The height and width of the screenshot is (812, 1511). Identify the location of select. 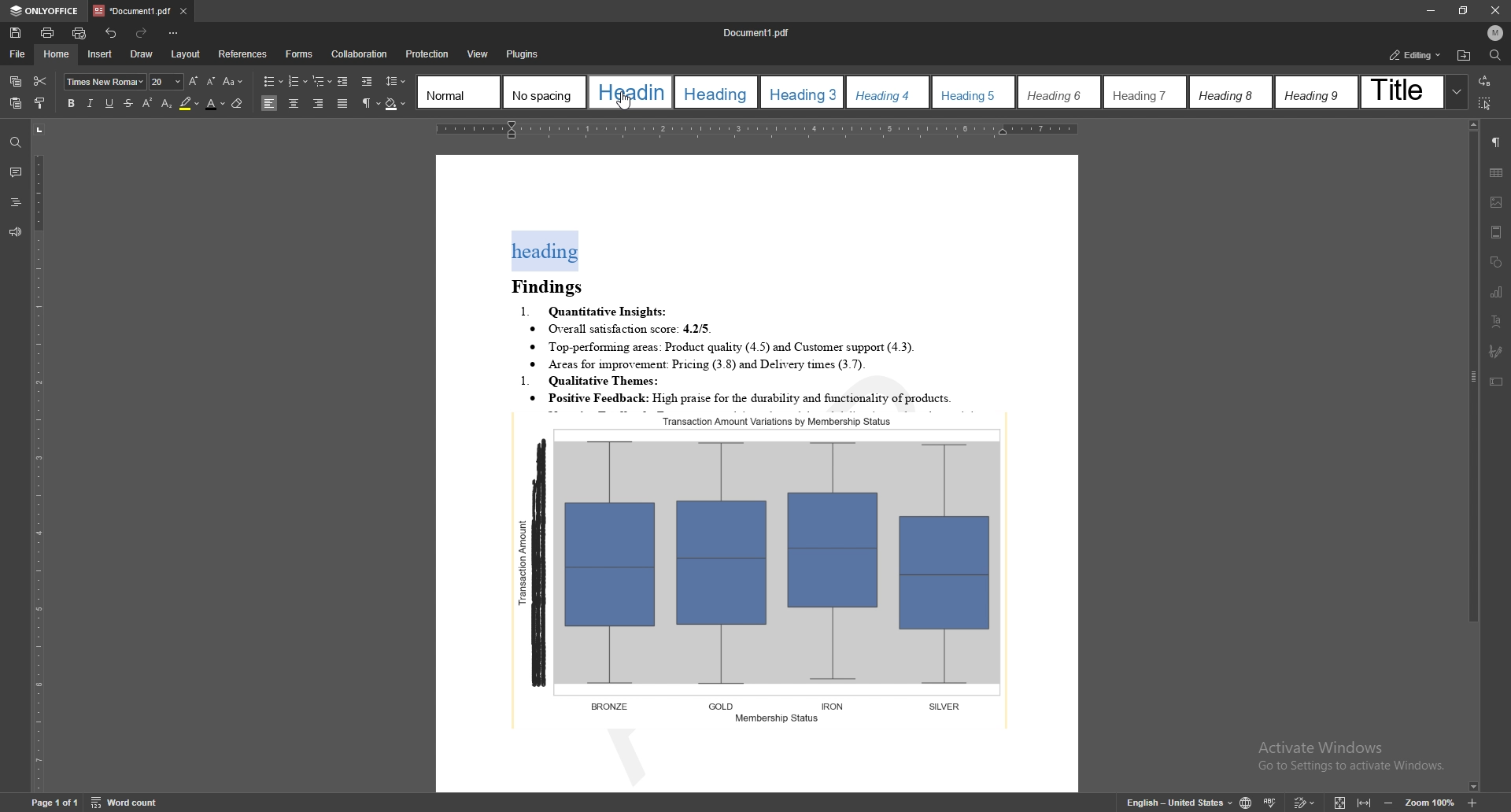
(1486, 102).